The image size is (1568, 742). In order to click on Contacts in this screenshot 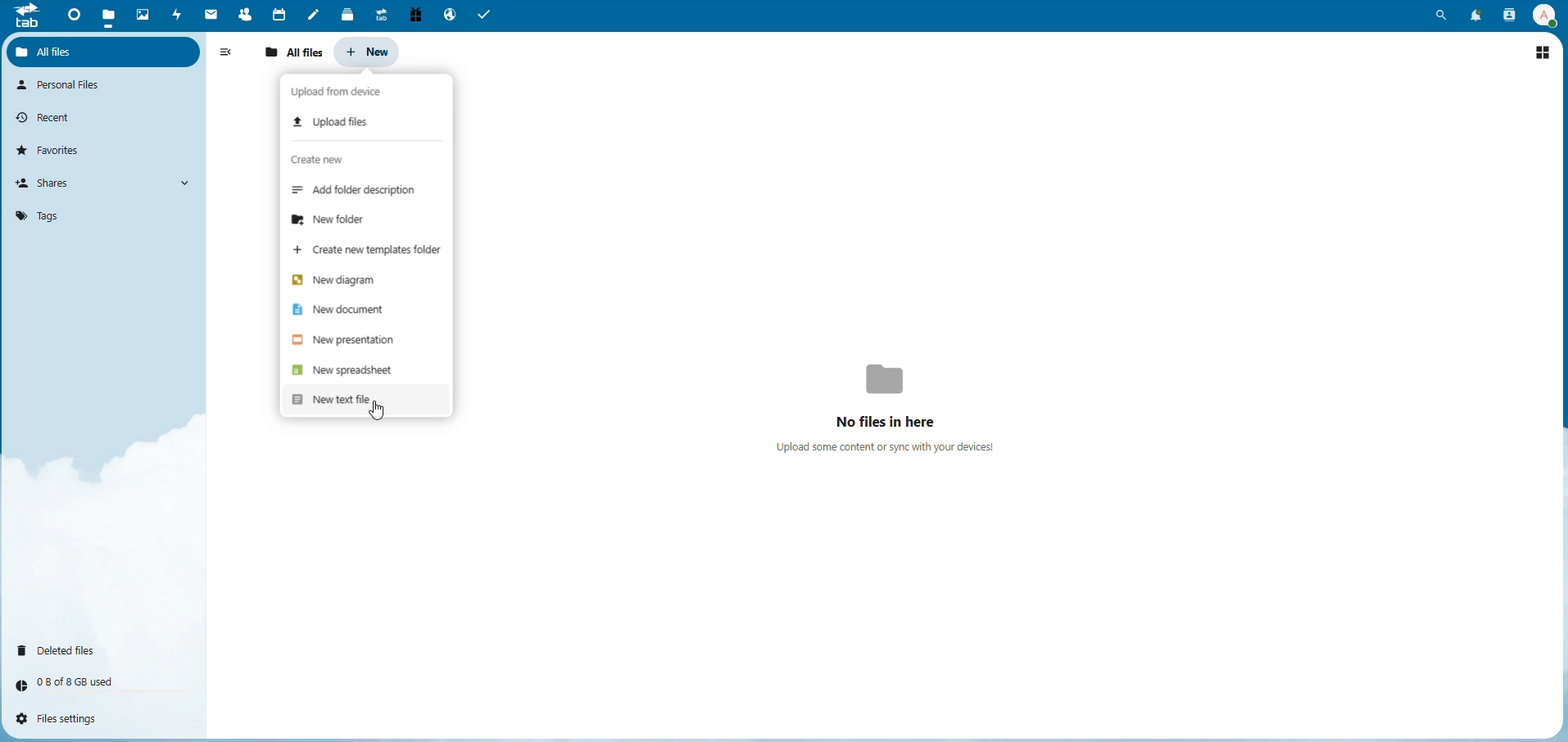, I will do `click(243, 14)`.